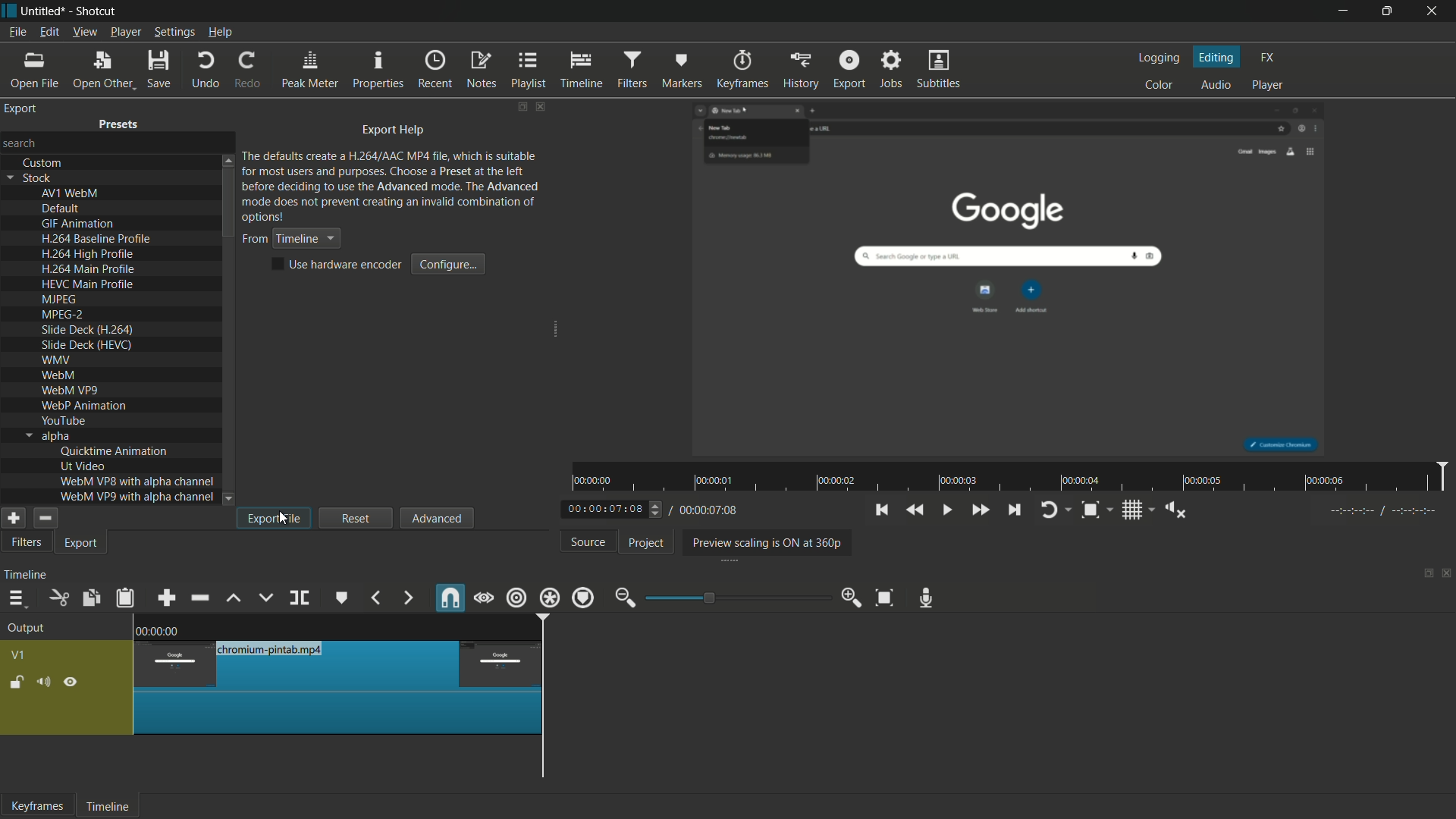  What do you see at coordinates (607, 510) in the screenshot?
I see `current time` at bounding box center [607, 510].